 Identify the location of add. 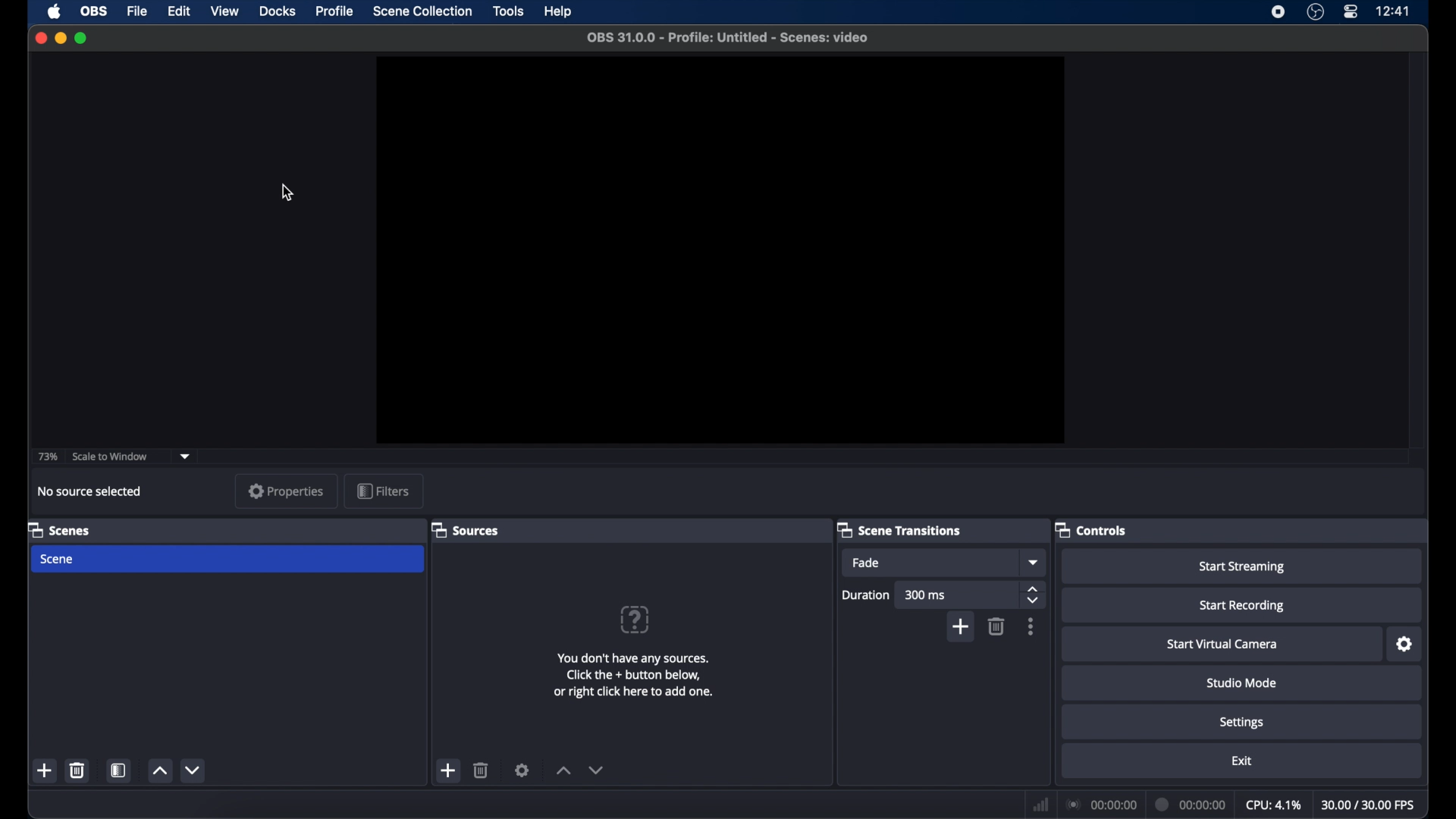
(45, 770).